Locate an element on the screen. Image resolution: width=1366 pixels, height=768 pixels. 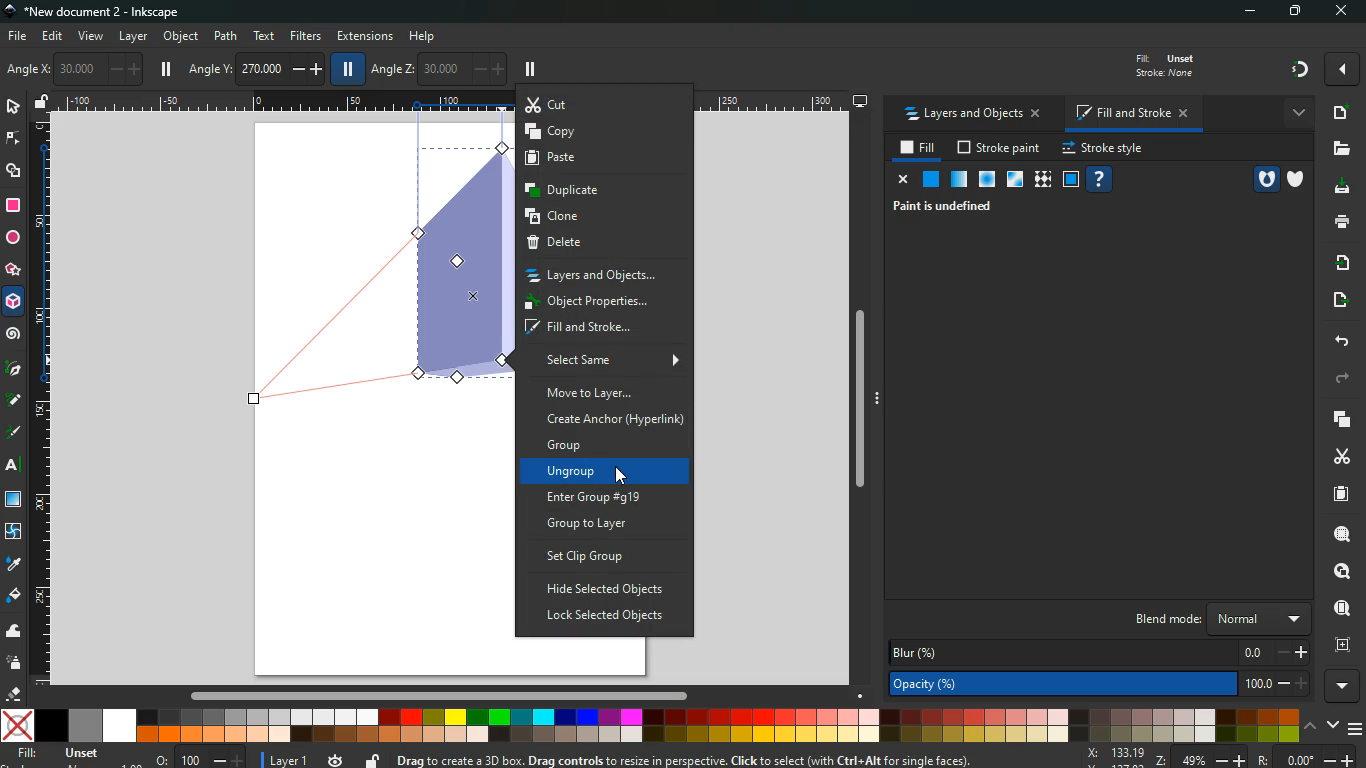
normal is located at coordinates (929, 179).